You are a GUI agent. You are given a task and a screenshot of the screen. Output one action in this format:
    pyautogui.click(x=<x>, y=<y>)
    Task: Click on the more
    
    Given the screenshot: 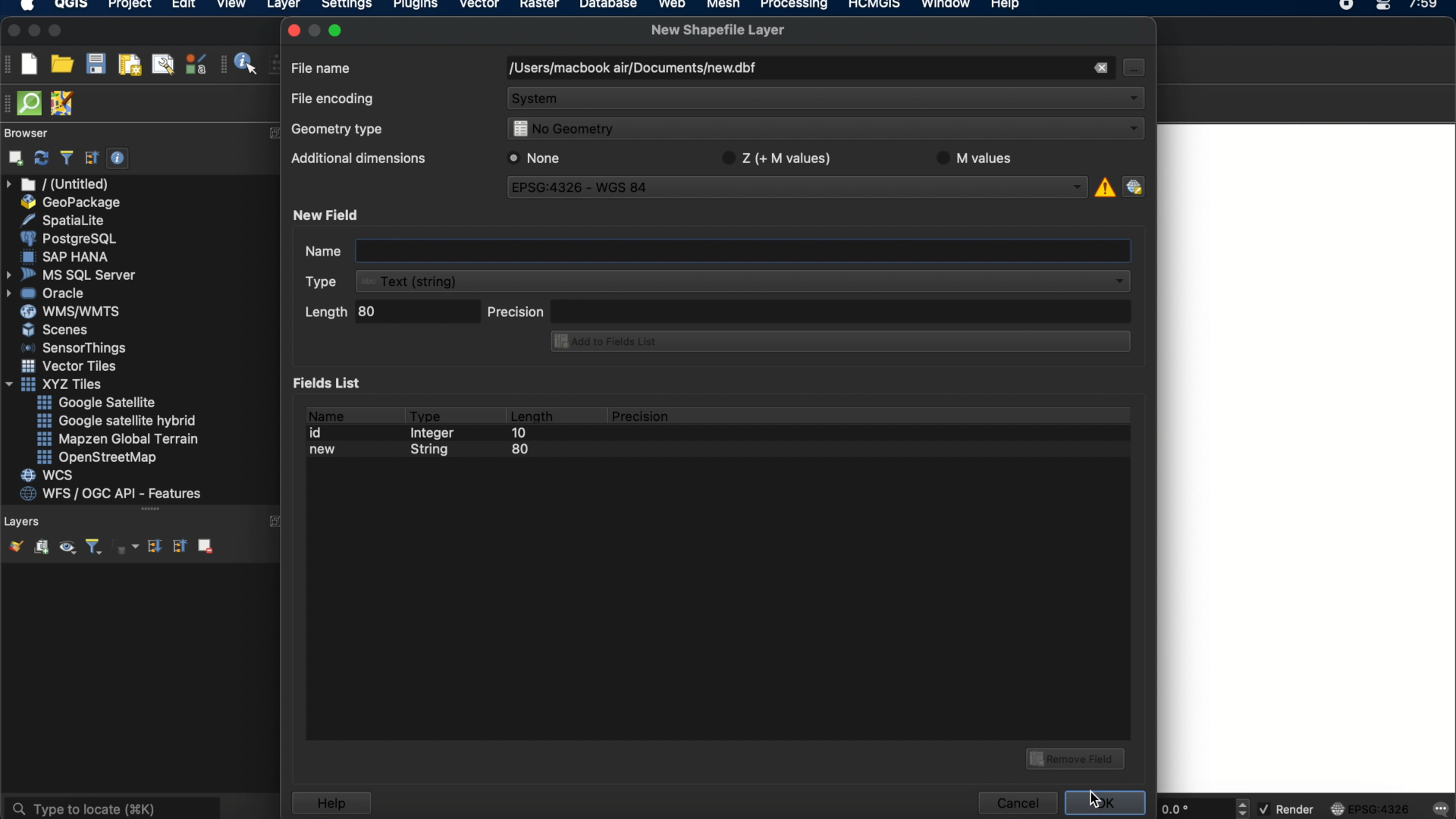 What is the action you would take?
    pyautogui.click(x=149, y=510)
    